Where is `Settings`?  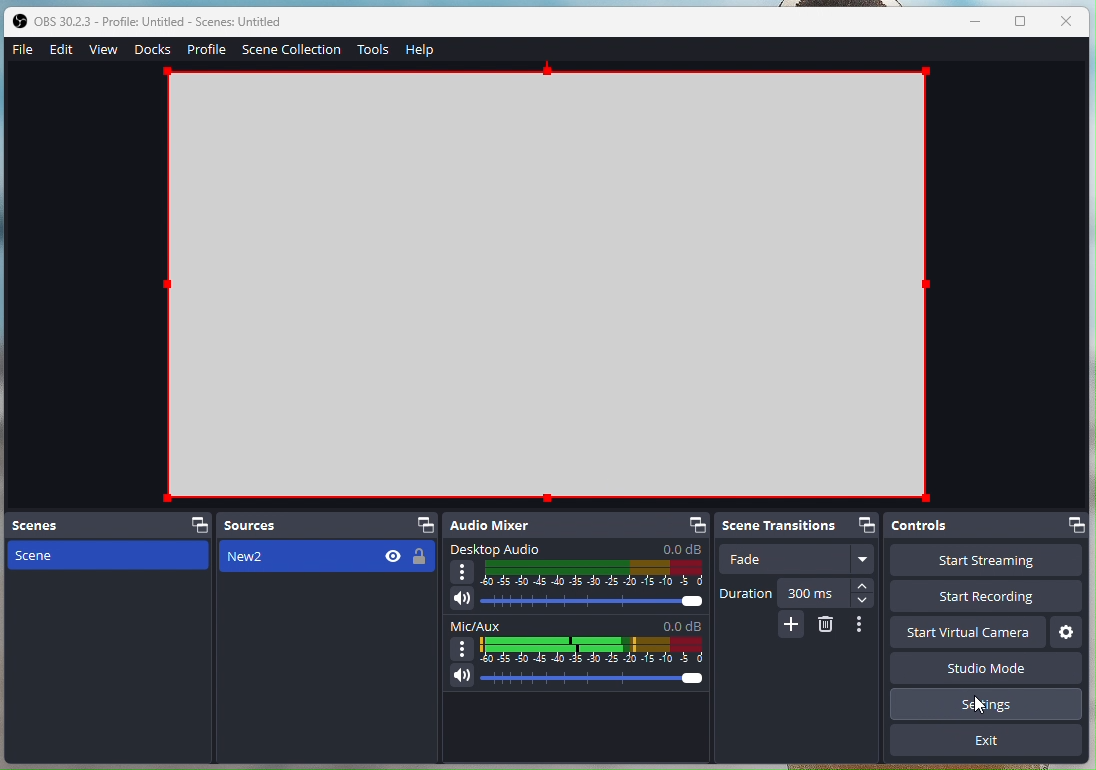
Settings is located at coordinates (1069, 633).